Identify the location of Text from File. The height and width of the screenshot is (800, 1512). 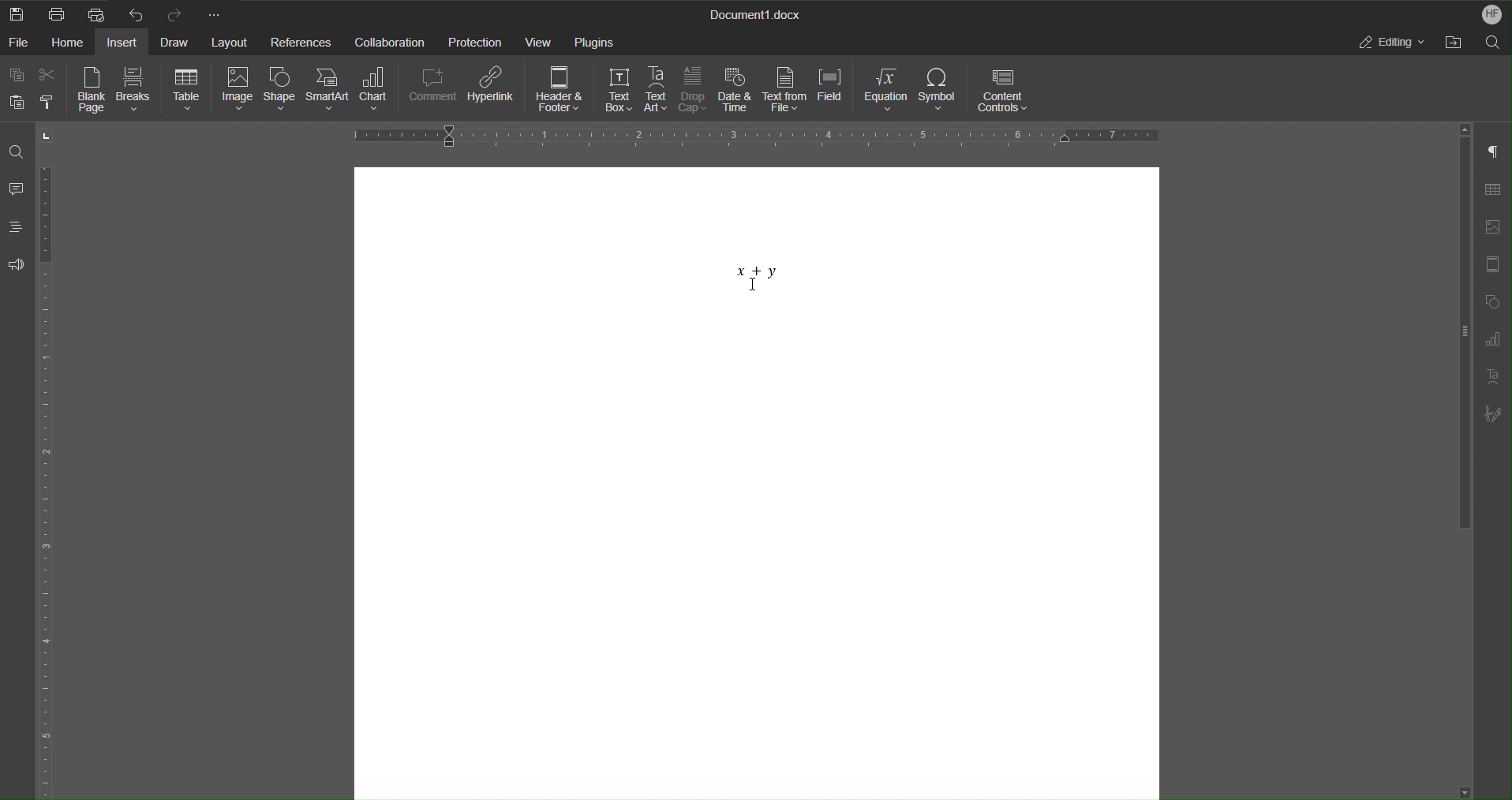
(786, 90).